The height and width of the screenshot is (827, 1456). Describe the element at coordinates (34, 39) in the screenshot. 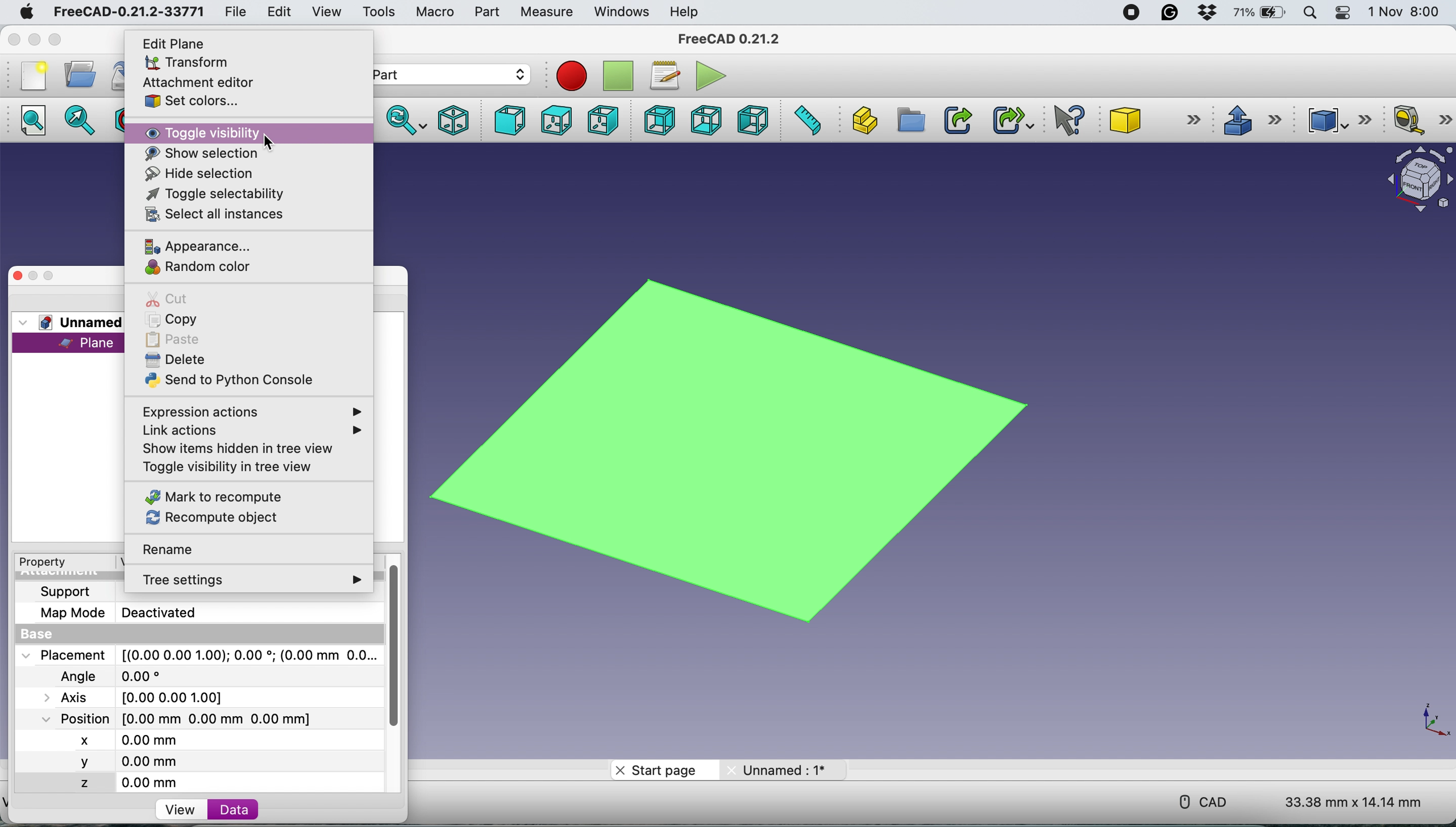

I see `minimise` at that location.